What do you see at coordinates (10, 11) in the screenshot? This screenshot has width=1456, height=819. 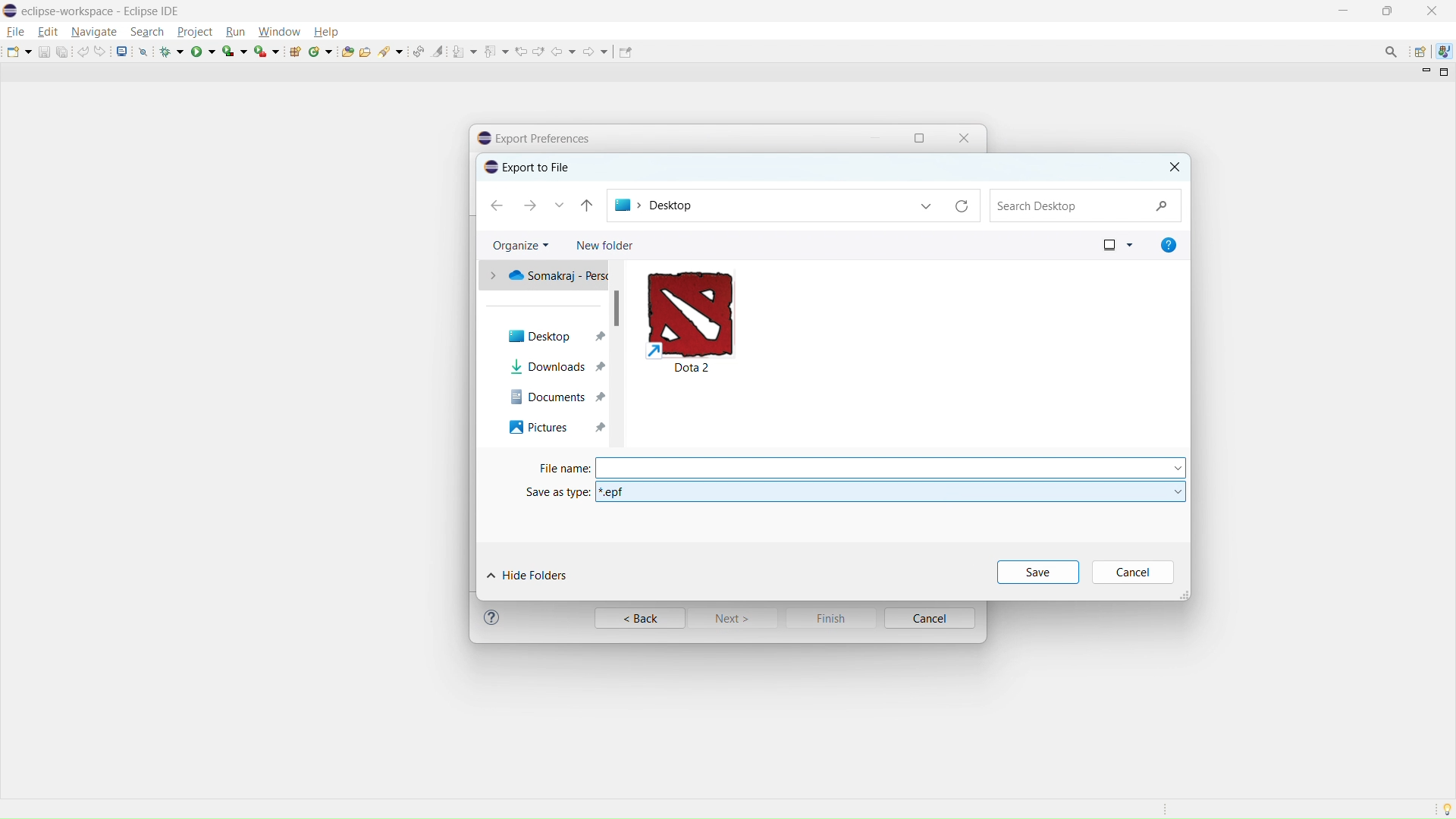 I see `logo` at bounding box center [10, 11].